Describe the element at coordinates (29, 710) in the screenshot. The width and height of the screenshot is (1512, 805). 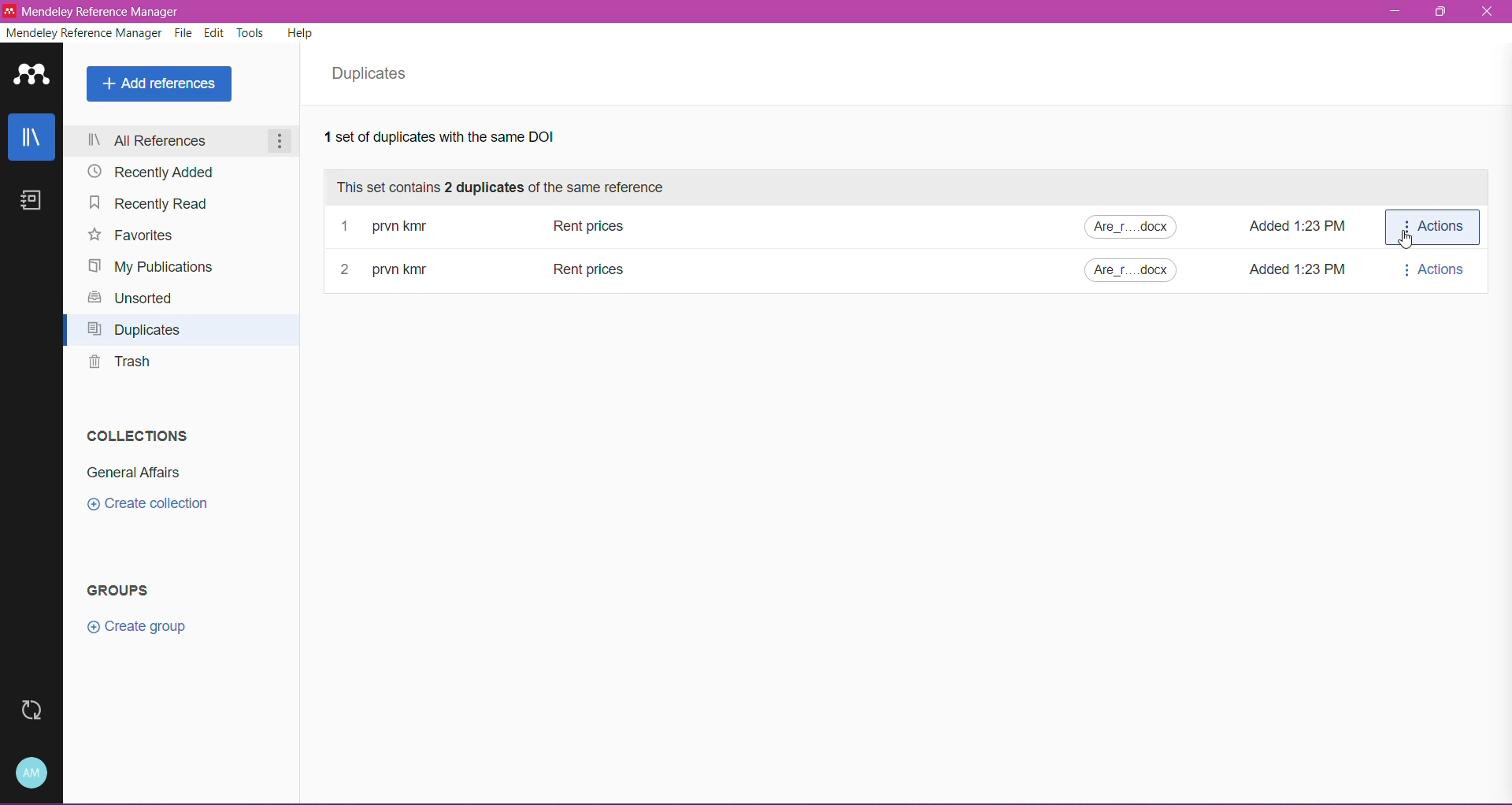
I see `Last Sync` at that location.